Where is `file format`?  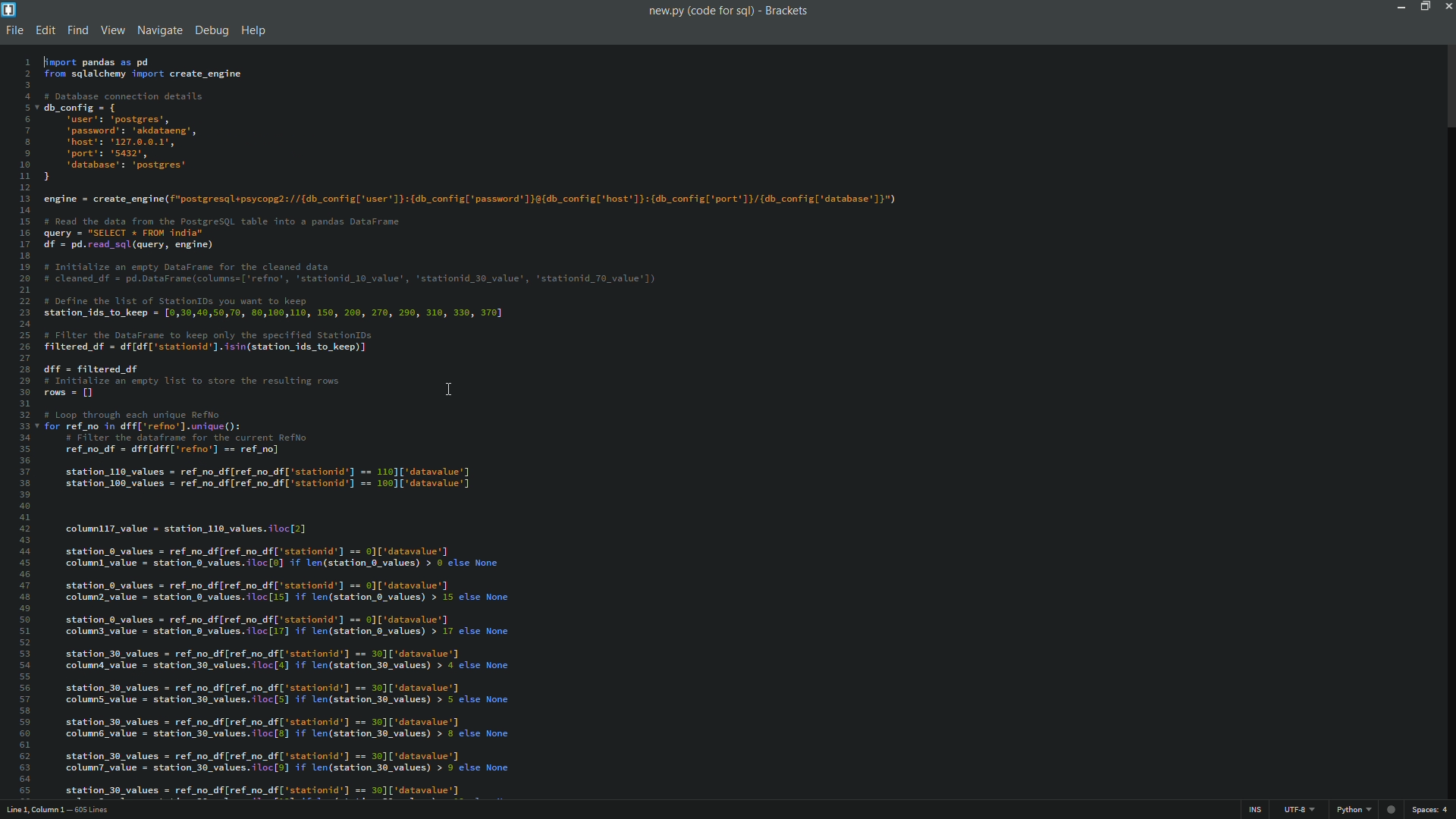 file format is located at coordinates (1354, 811).